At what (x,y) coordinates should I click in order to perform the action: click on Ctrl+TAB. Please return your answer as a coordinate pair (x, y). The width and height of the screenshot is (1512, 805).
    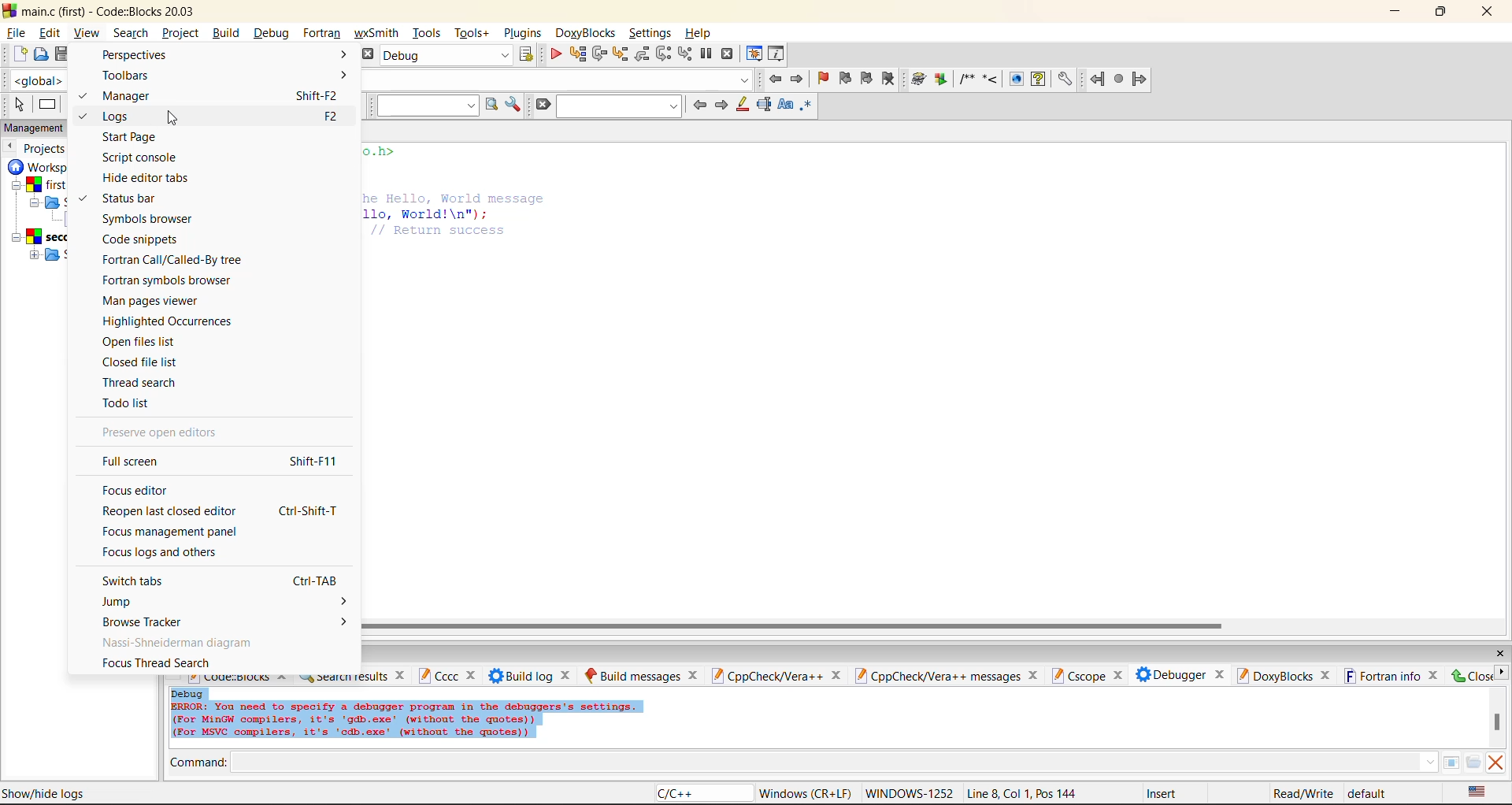
    Looking at the image, I should click on (306, 581).